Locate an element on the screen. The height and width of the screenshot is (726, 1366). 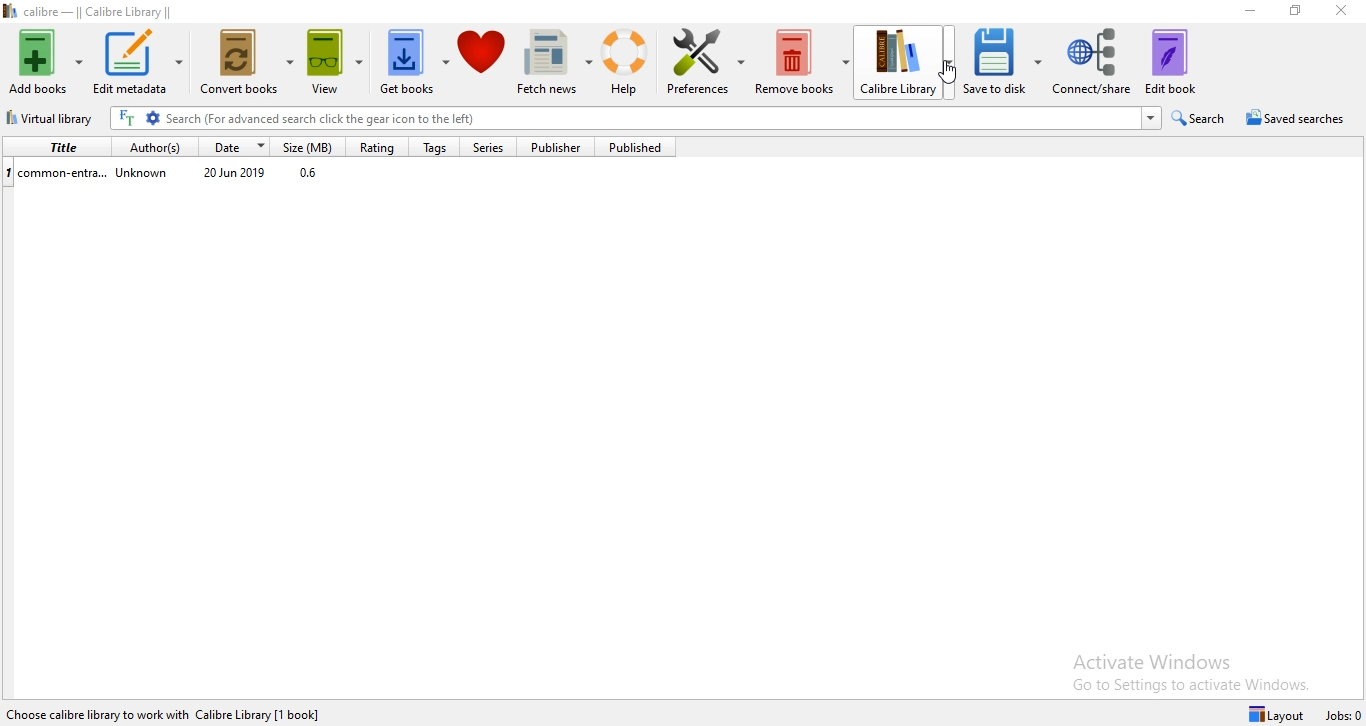
calibre - || Calibre Library || is located at coordinates (112, 11).